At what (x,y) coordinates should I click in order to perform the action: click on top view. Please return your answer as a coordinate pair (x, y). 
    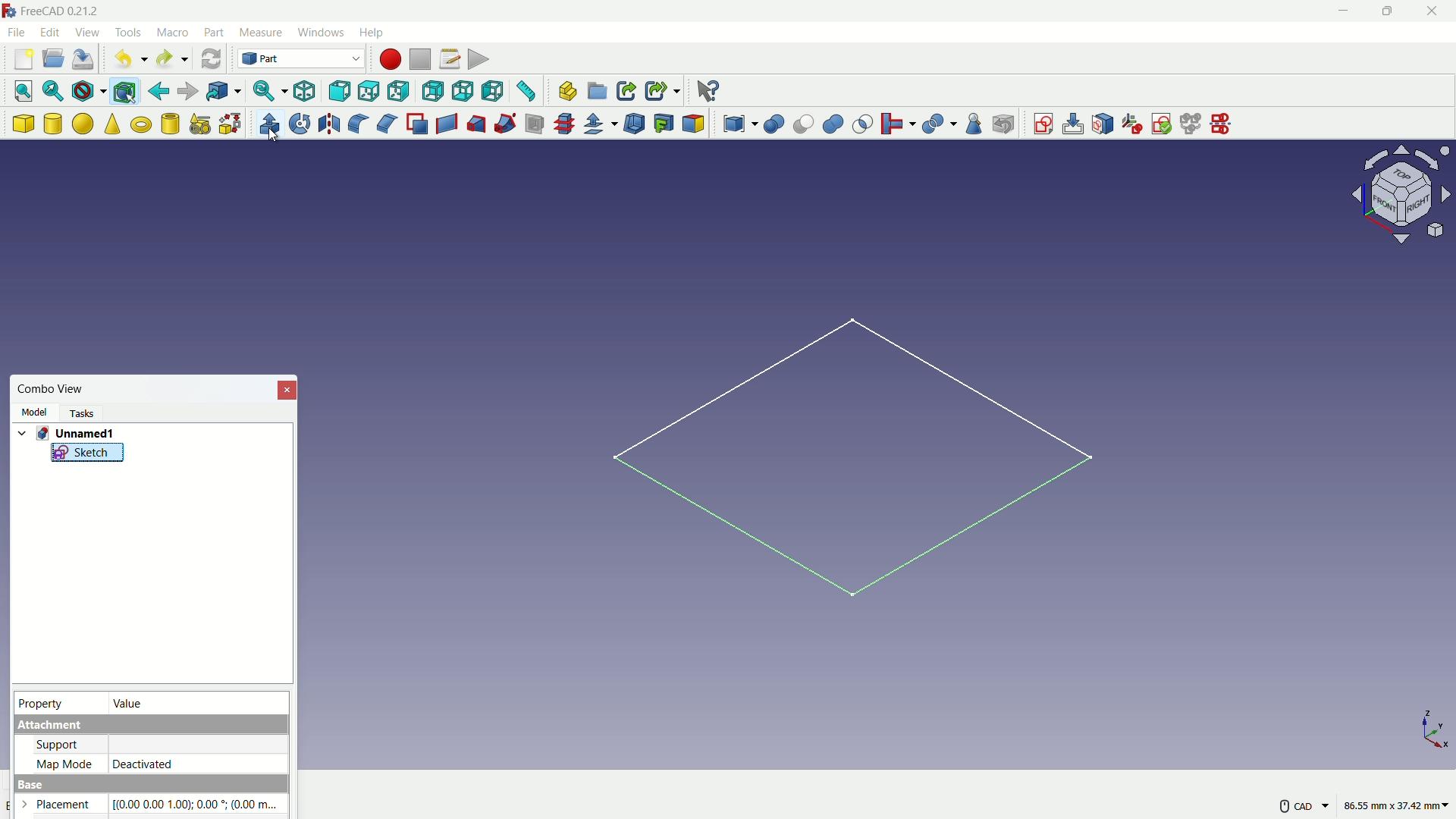
    Looking at the image, I should click on (368, 90).